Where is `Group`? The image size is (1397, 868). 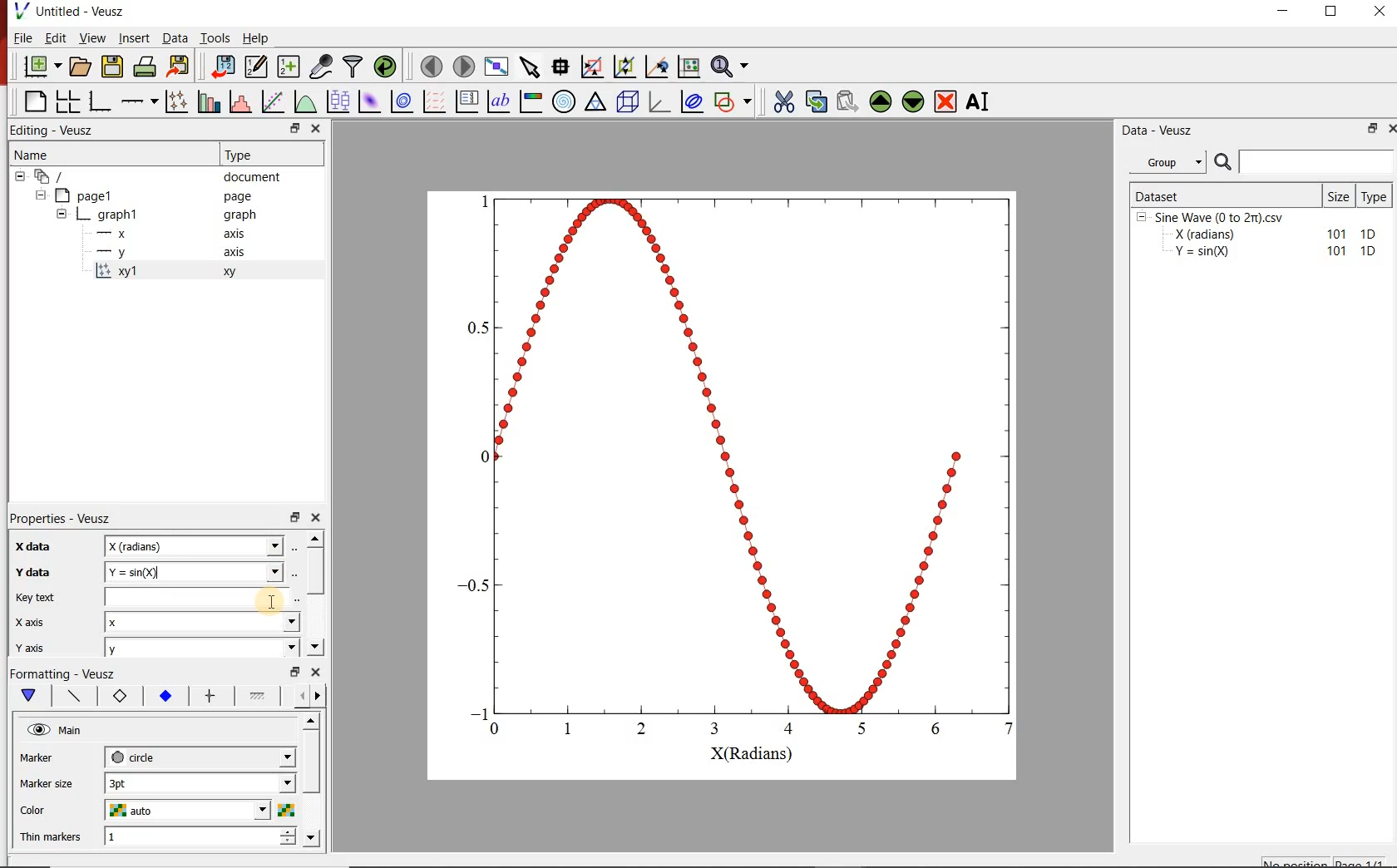 Group is located at coordinates (1172, 162).